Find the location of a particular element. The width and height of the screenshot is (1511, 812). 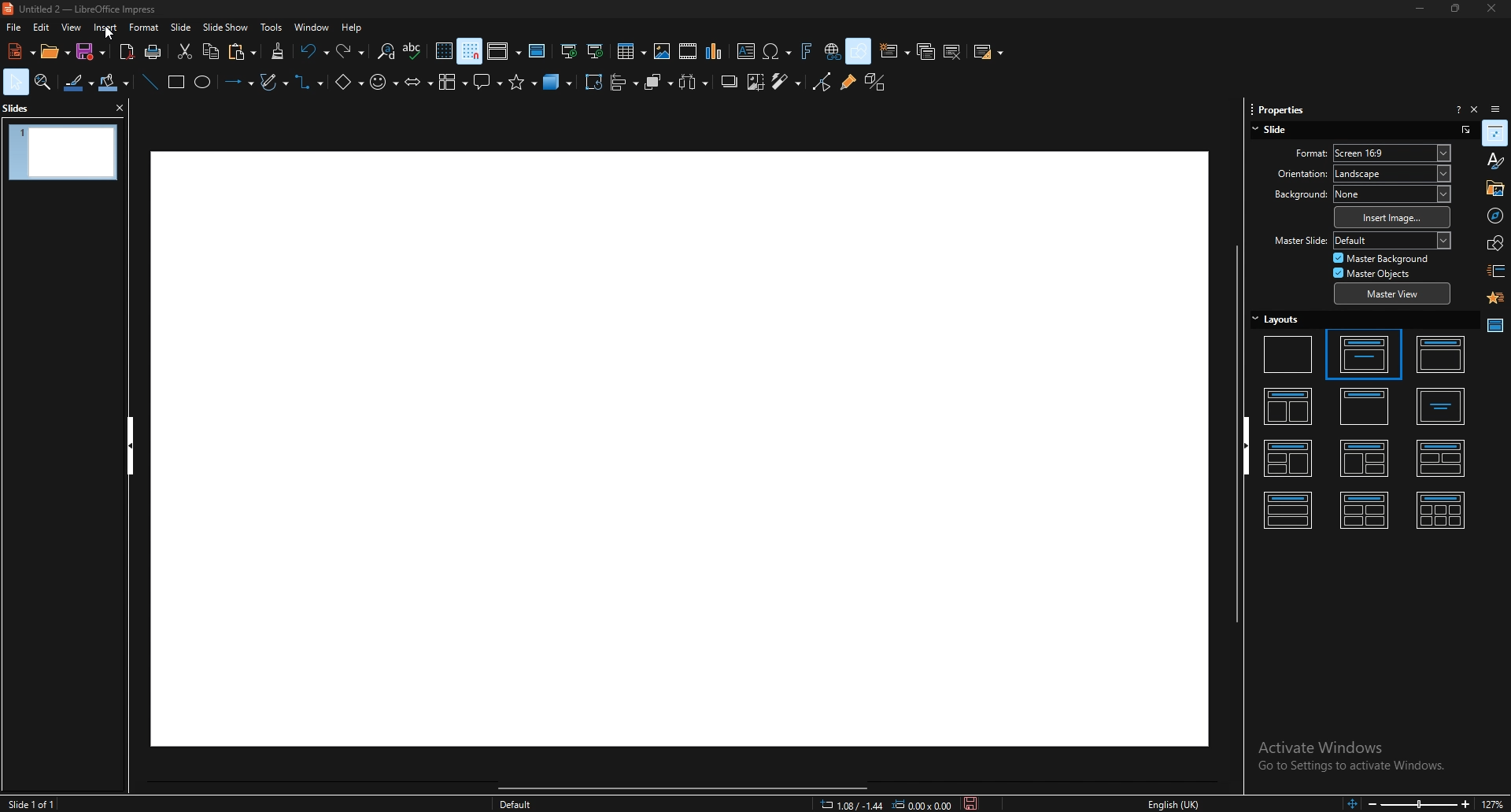

stars and banners is located at coordinates (525, 83).